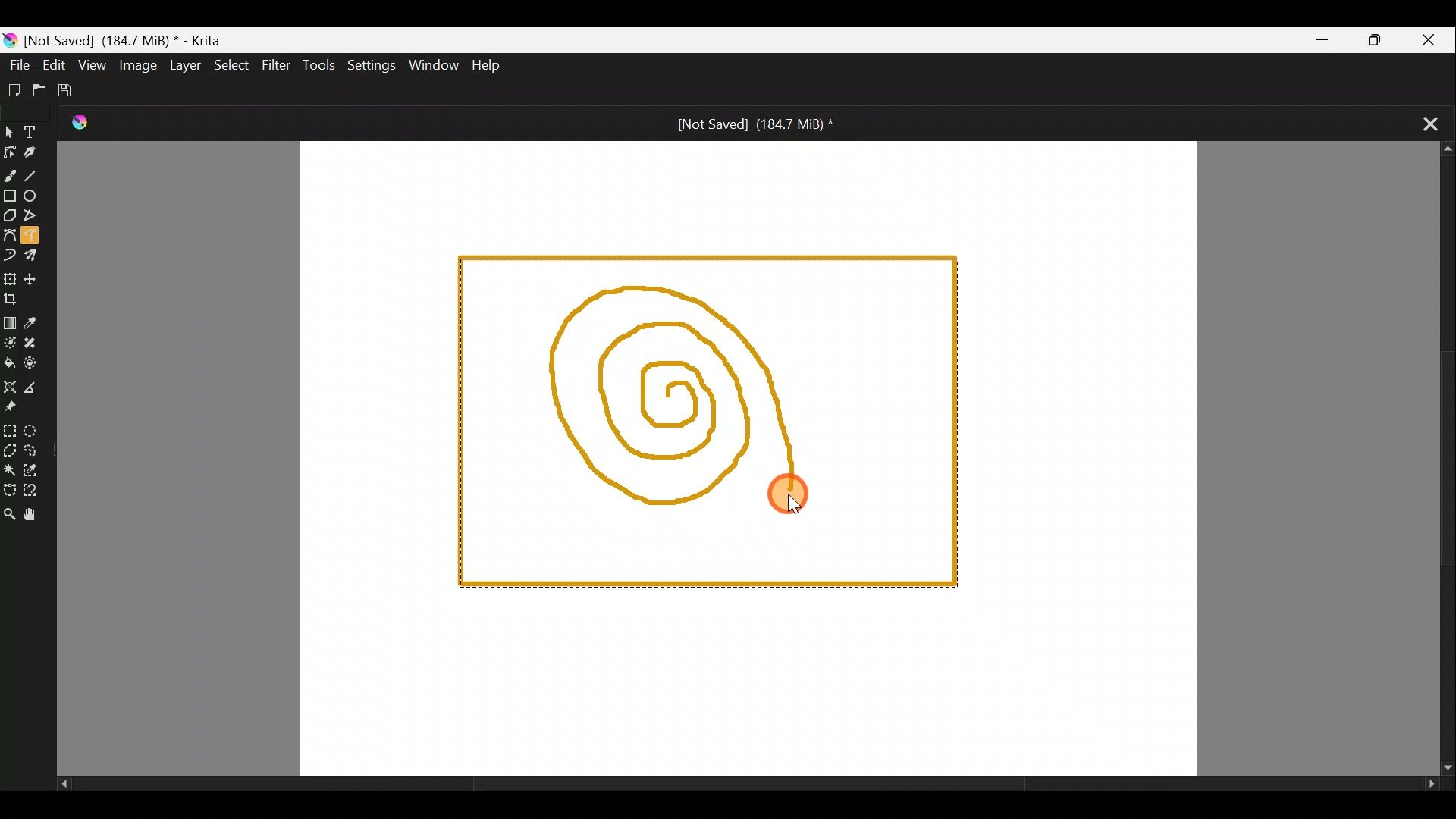  I want to click on Krita logo, so click(9, 40).